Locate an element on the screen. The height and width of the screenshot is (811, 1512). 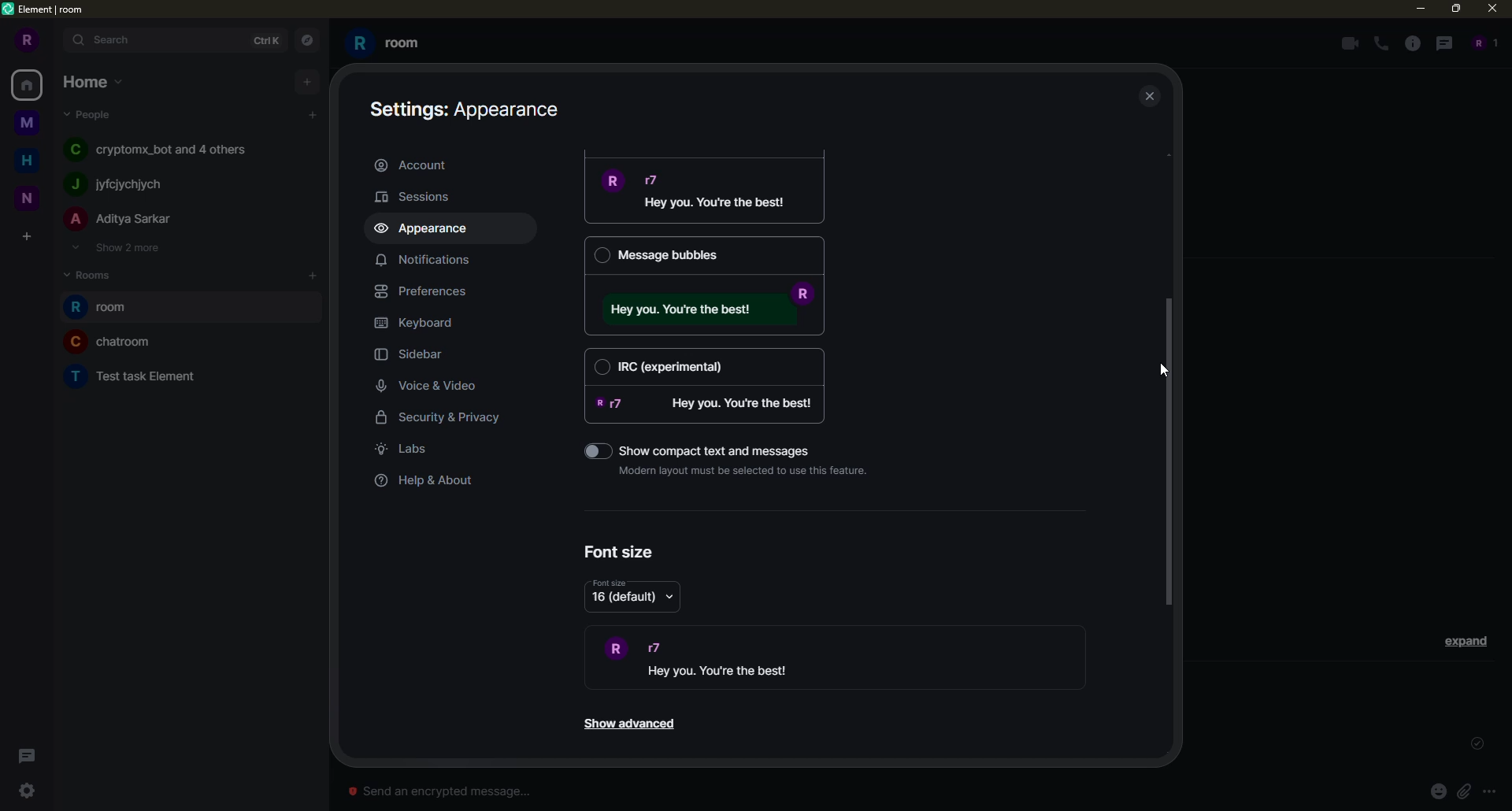
people is located at coordinates (121, 220).